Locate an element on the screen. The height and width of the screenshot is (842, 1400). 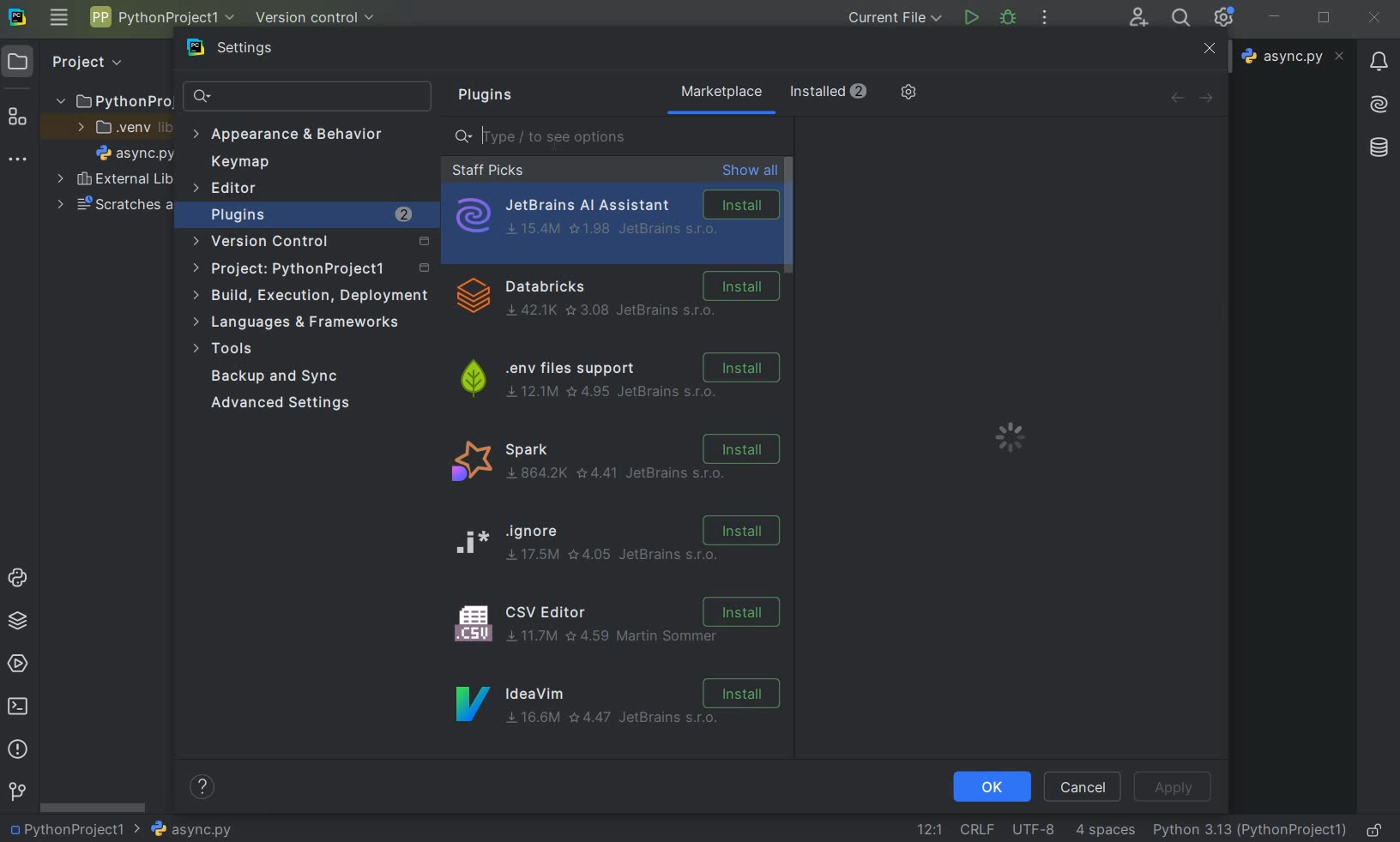
keymap is located at coordinates (237, 162).